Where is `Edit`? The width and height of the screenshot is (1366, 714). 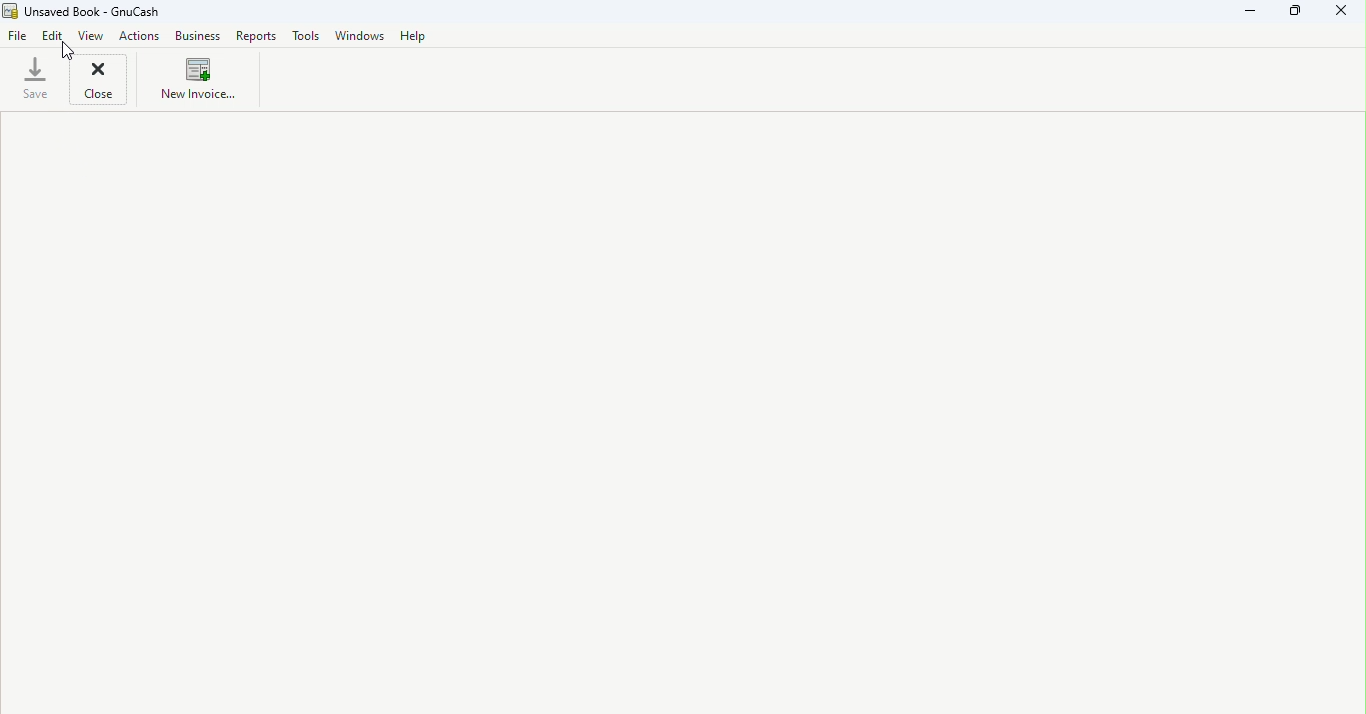 Edit is located at coordinates (53, 37).